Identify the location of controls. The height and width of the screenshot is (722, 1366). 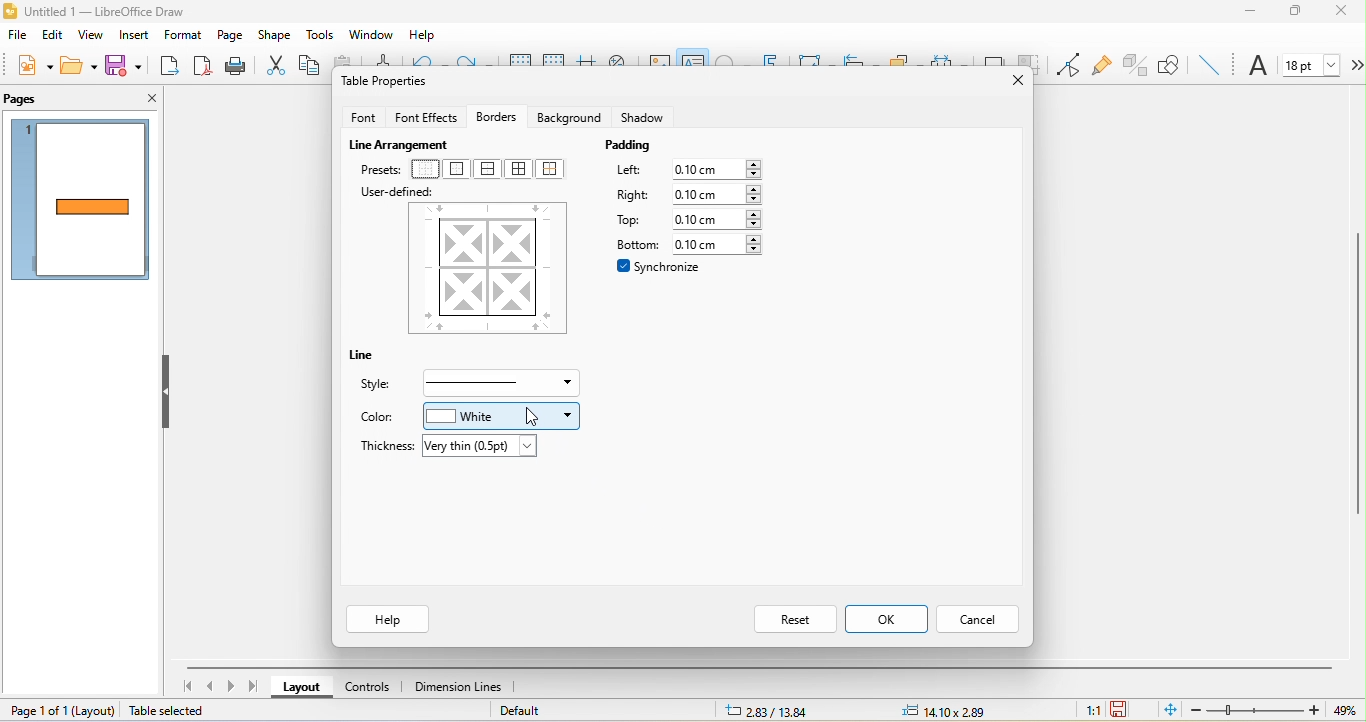
(371, 685).